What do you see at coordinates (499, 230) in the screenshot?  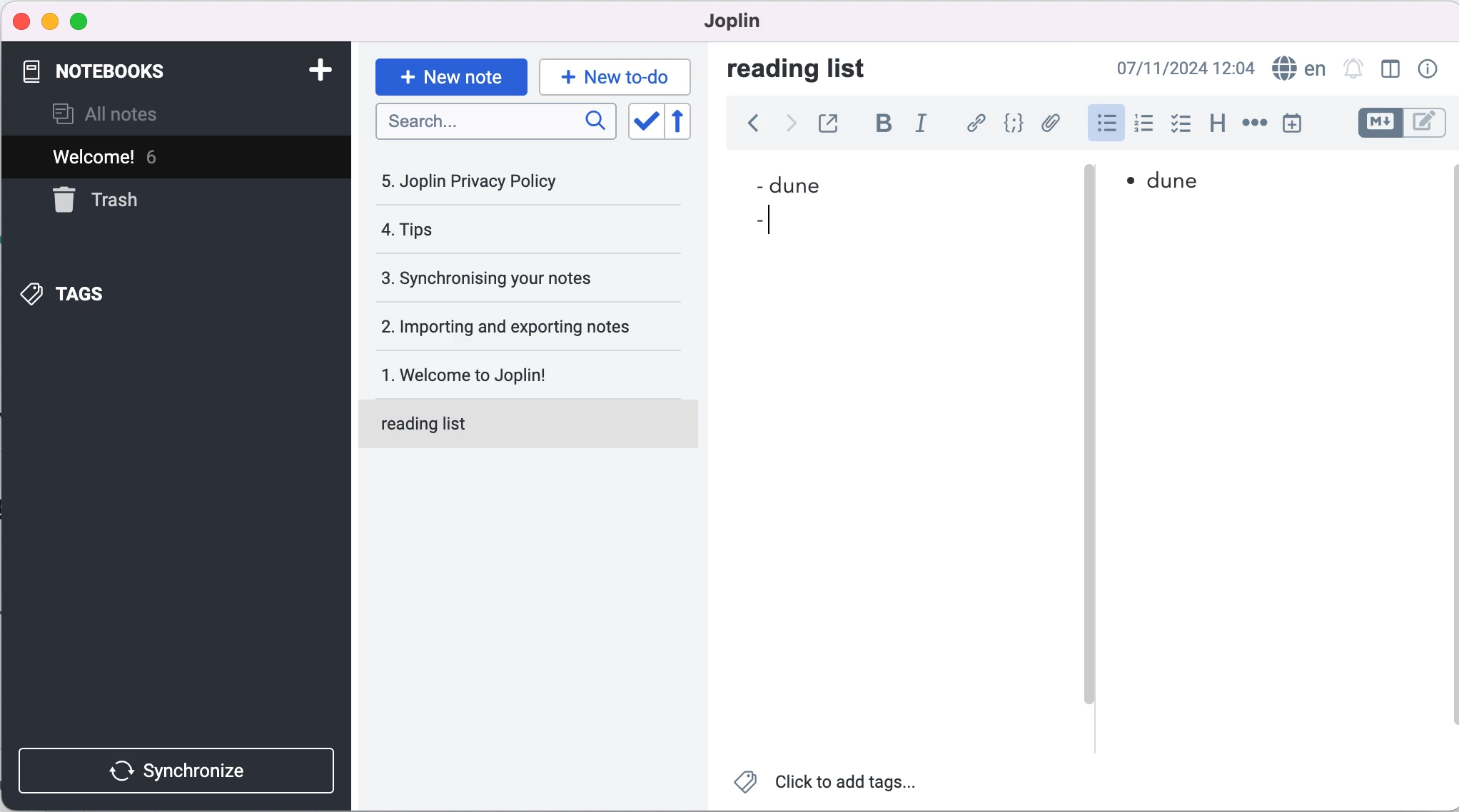 I see `tips` at bounding box center [499, 230].